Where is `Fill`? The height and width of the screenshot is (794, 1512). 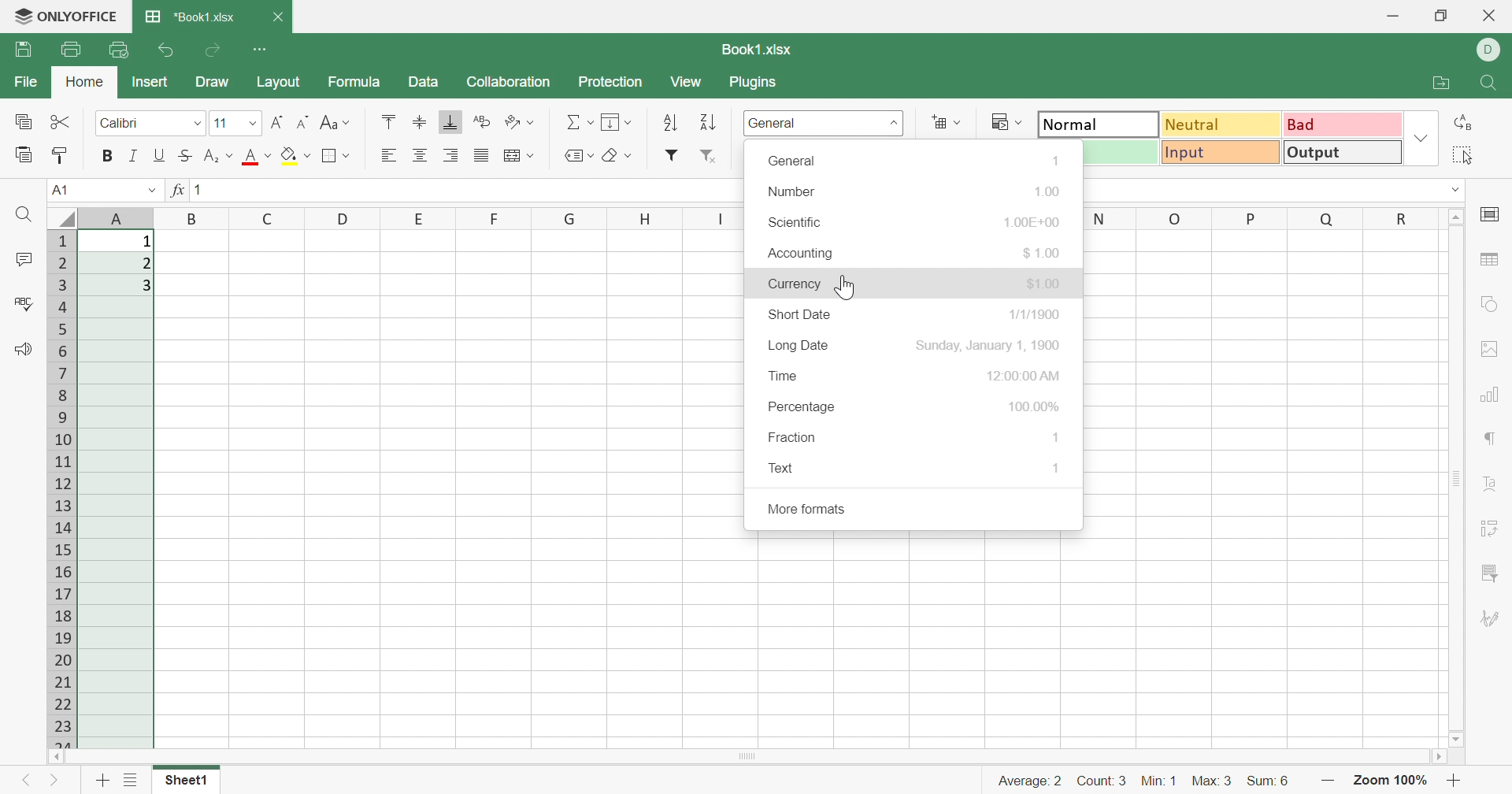
Fill is located at coordinates (615, 121).